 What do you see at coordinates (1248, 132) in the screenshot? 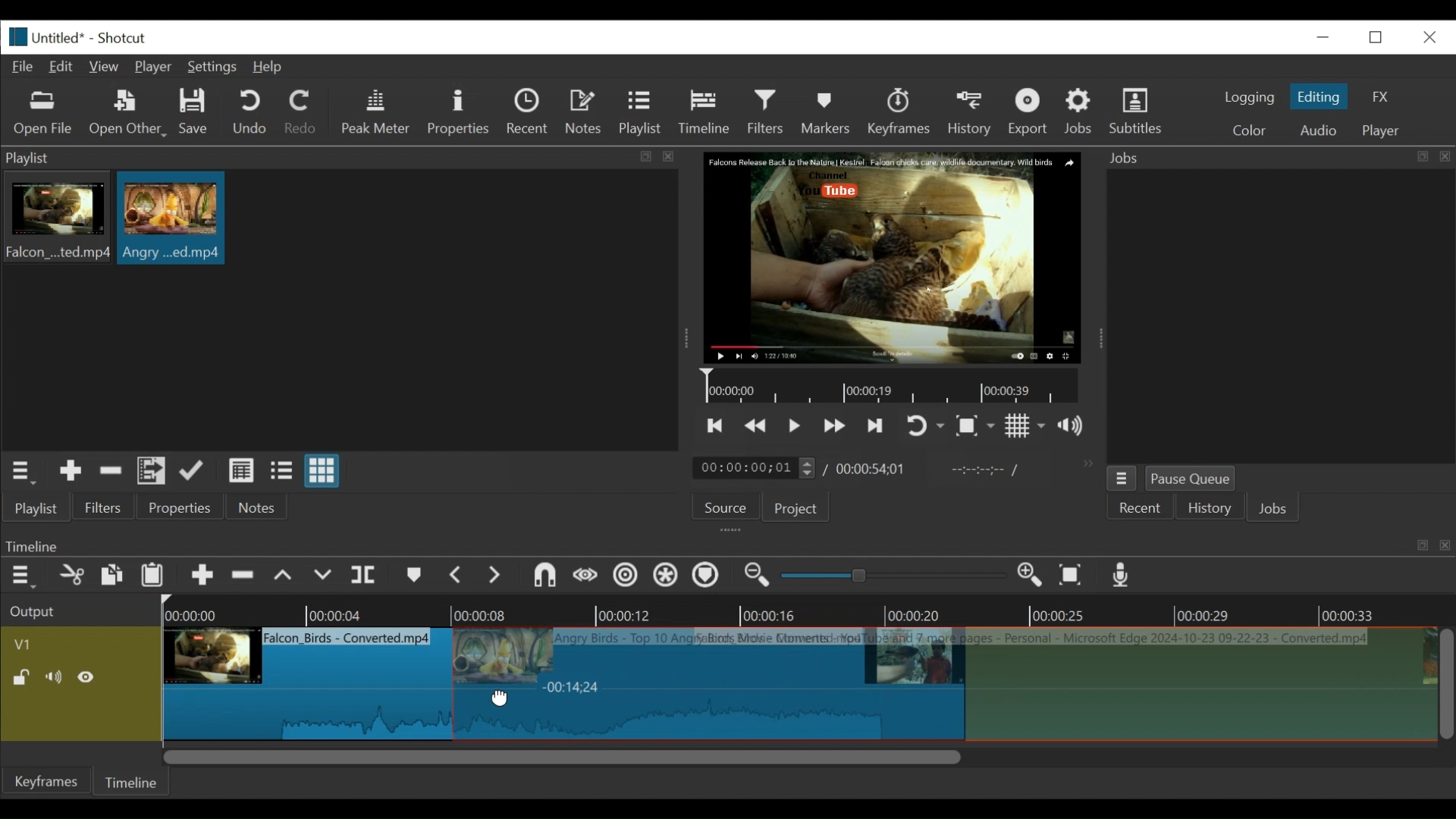
I see `color` at bounding box center [1248, 132].